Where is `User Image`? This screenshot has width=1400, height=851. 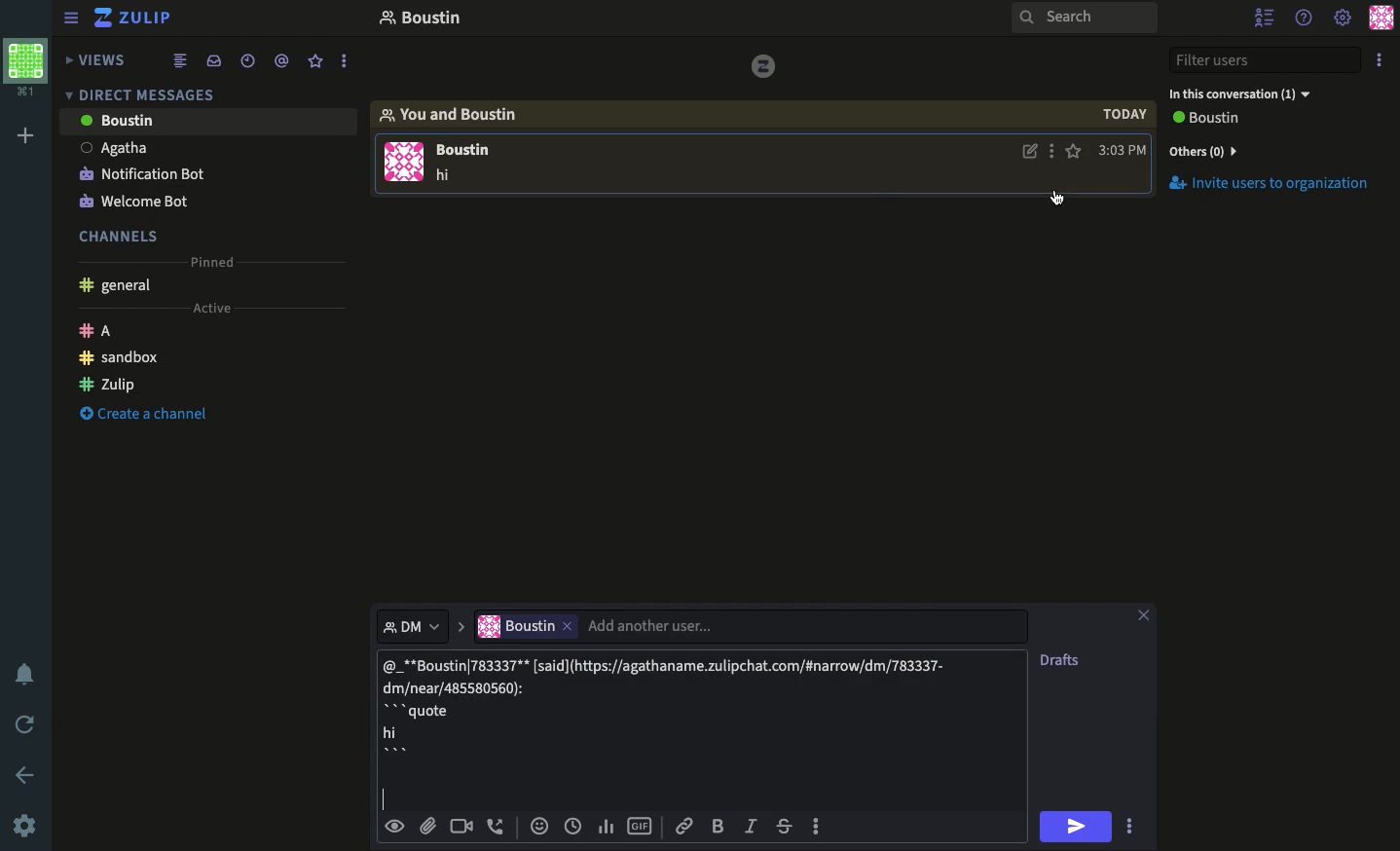 User Image is located at coordinates (404, 166).